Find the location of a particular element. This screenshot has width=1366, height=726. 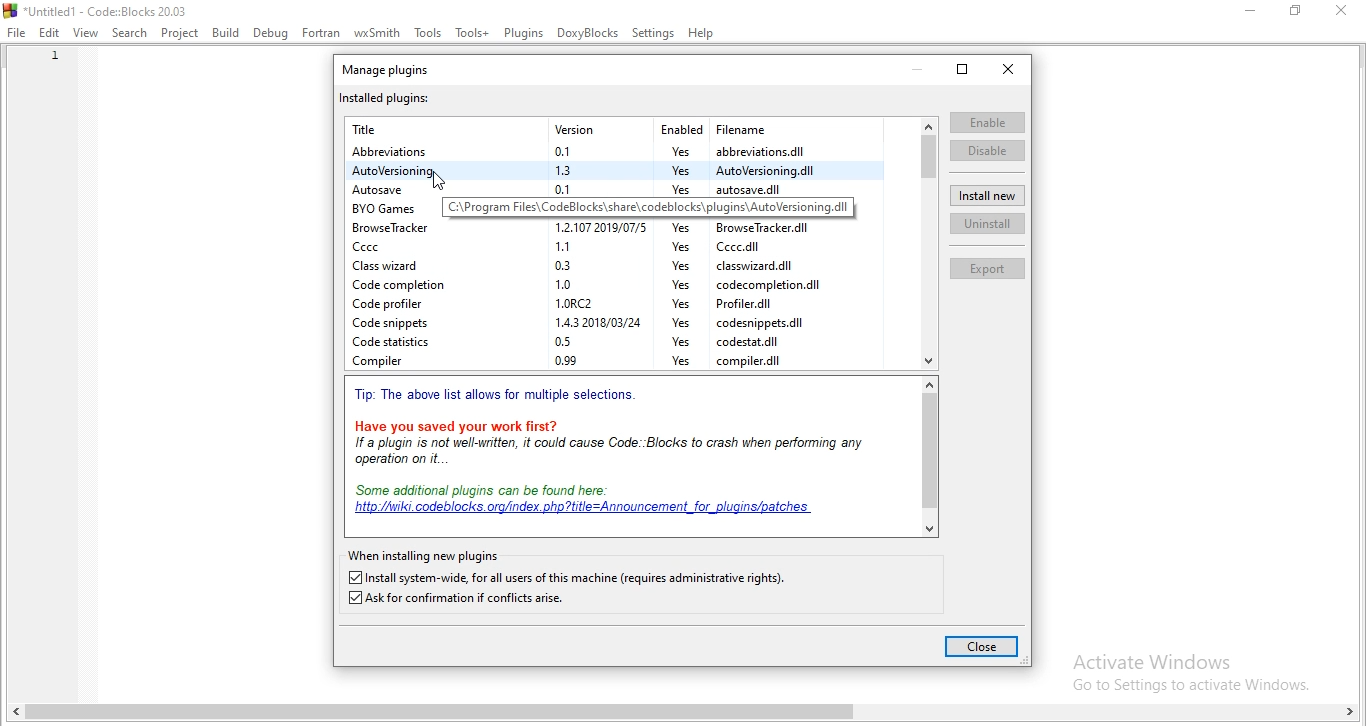

enable is located at coordinates (988, 122).